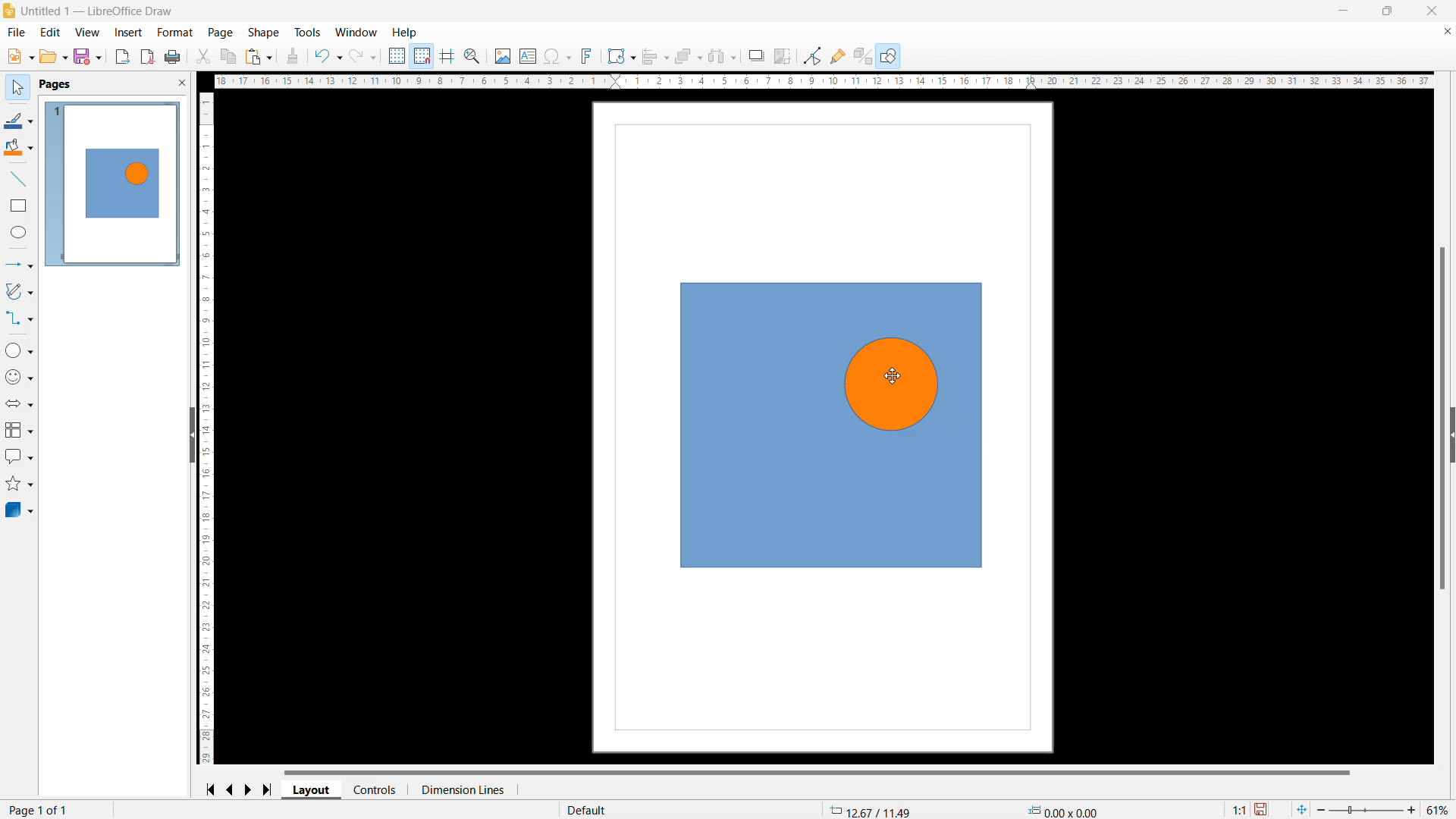  Describe the element at coordinates (1388, 11) in the screenshot. I see `maximize` at that location.